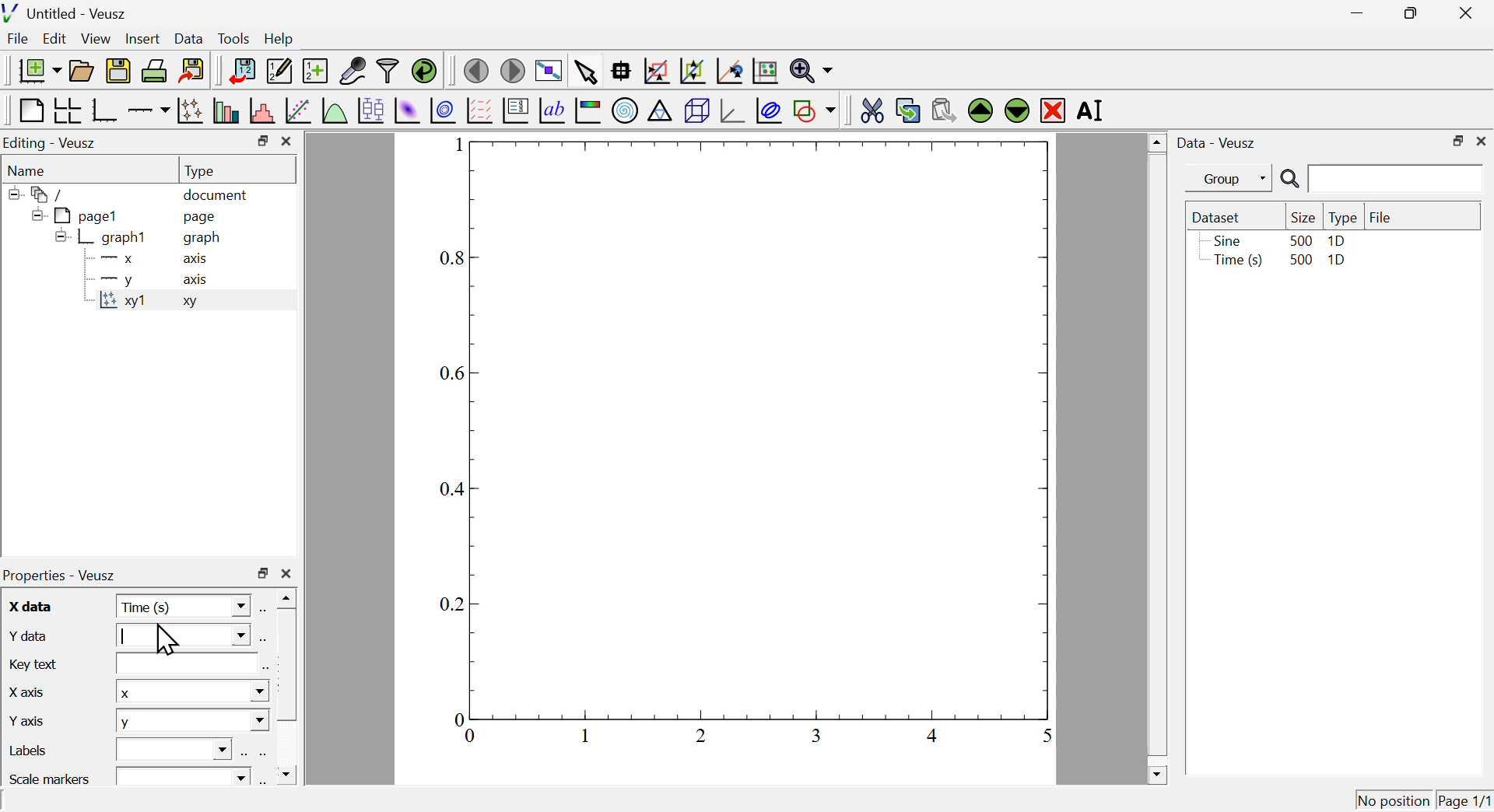 Image resolution: width=1494 pixels, height=812 pixels. What do you see at coordinates (1156, 458) in the screenshot?
I see `scrollbar` at bounding box center [1156, 458].